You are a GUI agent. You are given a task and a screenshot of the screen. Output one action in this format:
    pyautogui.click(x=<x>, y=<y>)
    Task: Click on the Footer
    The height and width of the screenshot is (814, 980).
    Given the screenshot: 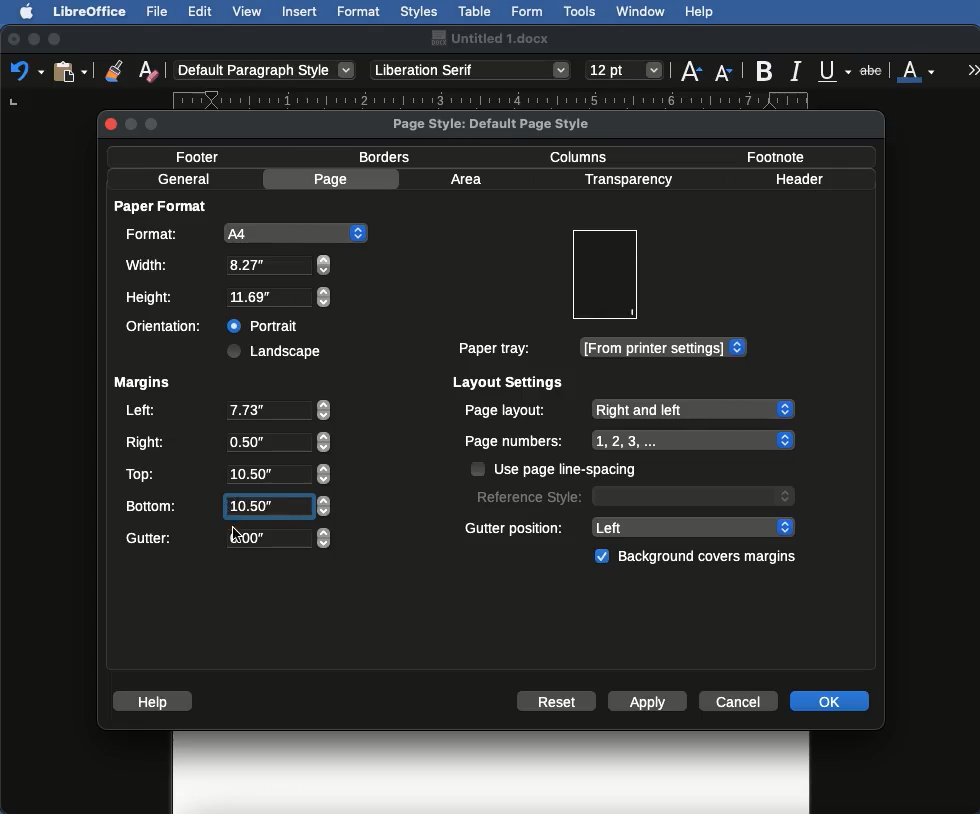 What is the action you would take?
    pyautogui.click(x=204, y=156)
    